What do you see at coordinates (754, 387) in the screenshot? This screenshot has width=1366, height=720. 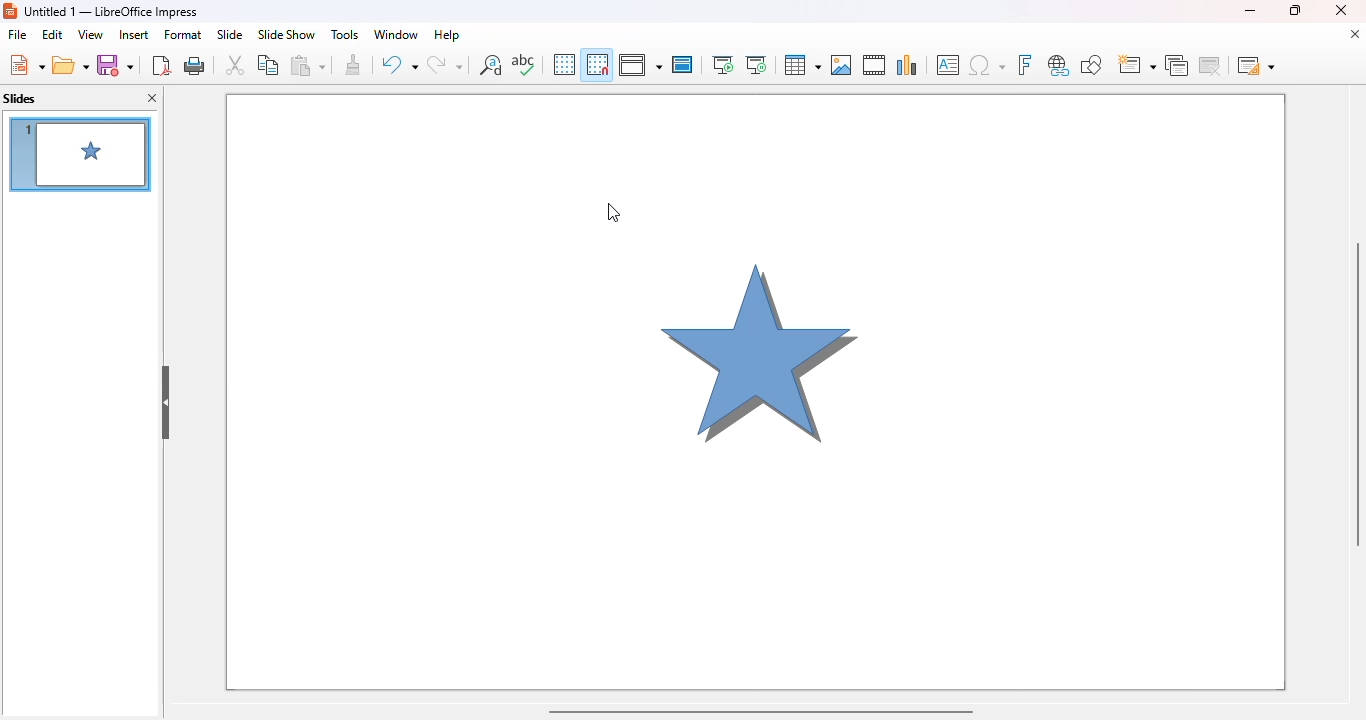 I see `landscape orientation` at bounding box center [754, 387].